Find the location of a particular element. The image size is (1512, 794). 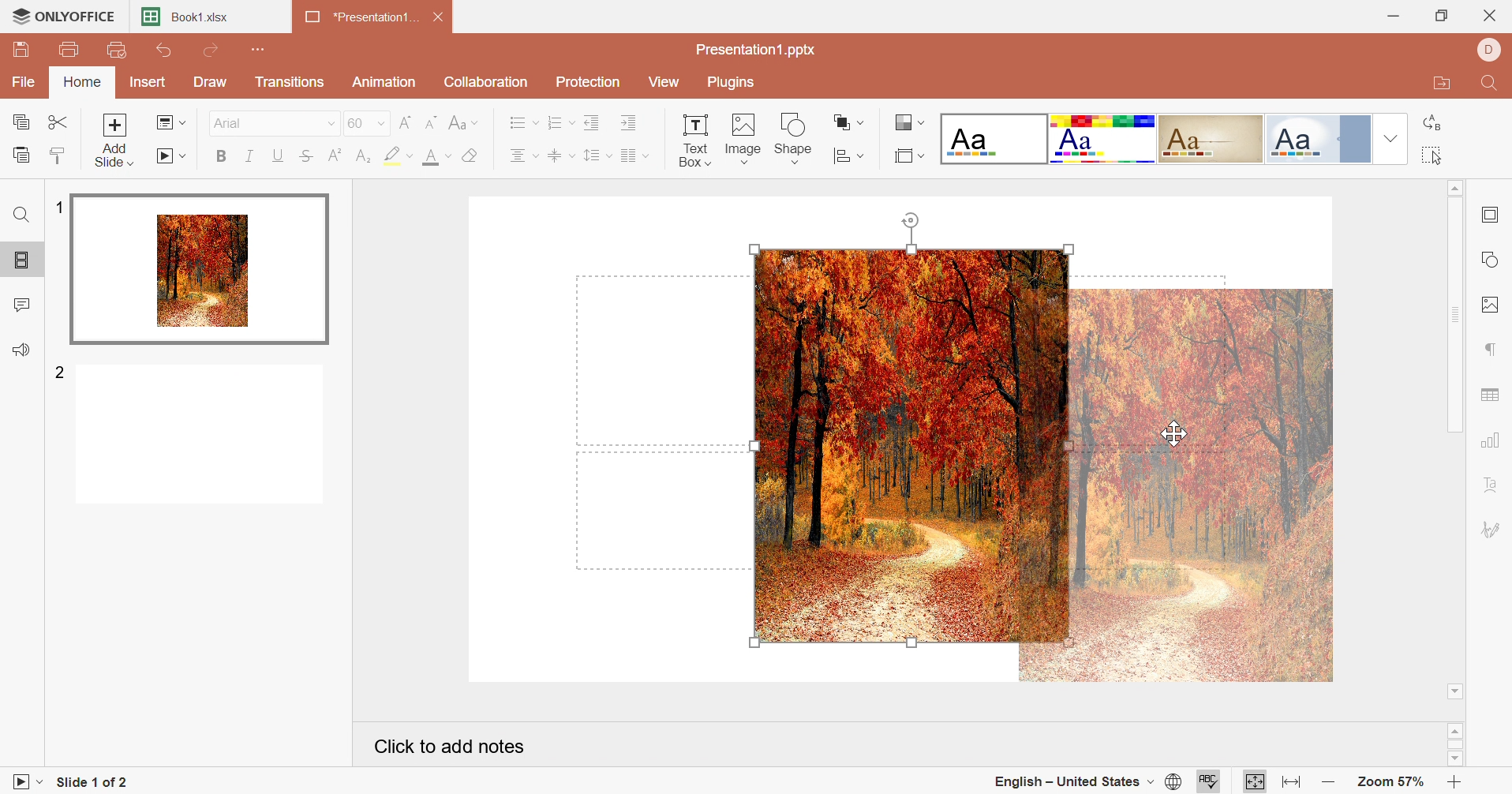

Copy is located at coordinates (22, 122).